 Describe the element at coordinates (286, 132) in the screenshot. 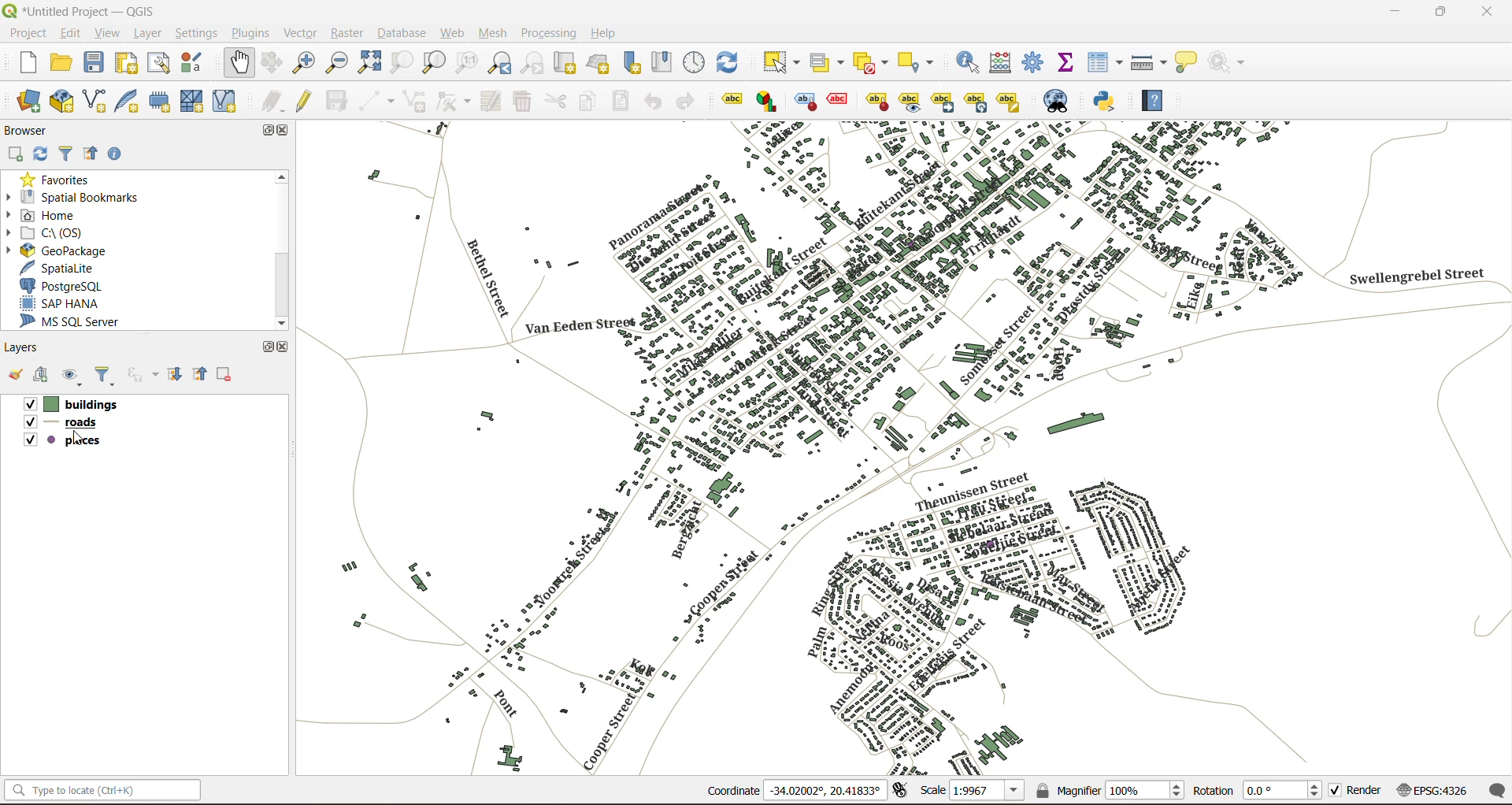

I see `close` at that location.